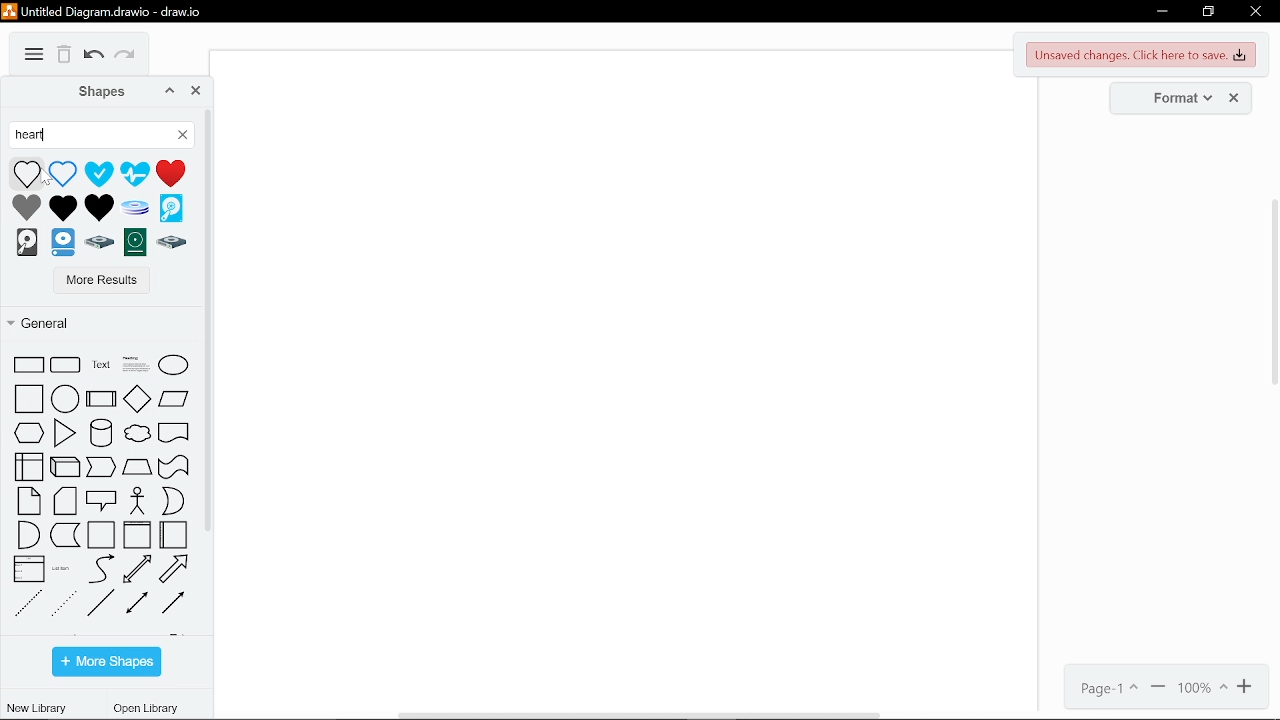 The height and width of the screenshot is (720, 1280). What do you see at coordinates (101, 397) in the screenshot?
I see `process` at bounding box center [101, 397].